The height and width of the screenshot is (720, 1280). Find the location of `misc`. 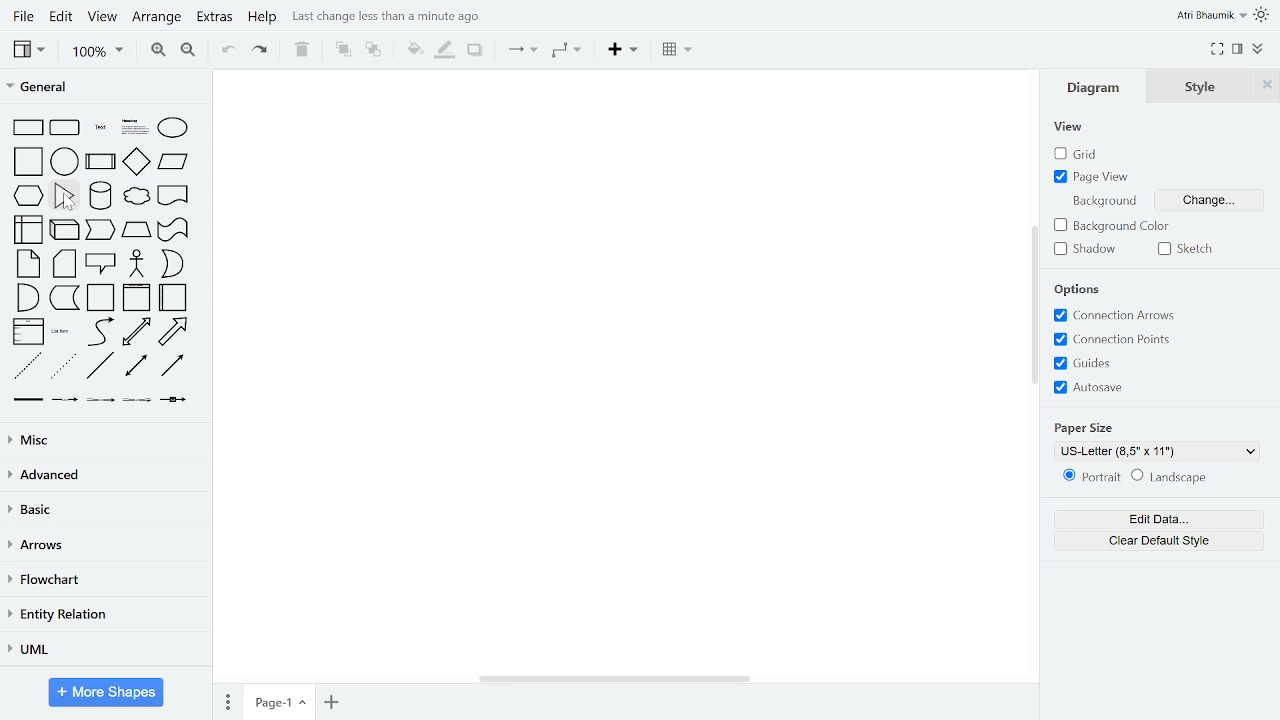

misc is located at coordinates (102, 442).